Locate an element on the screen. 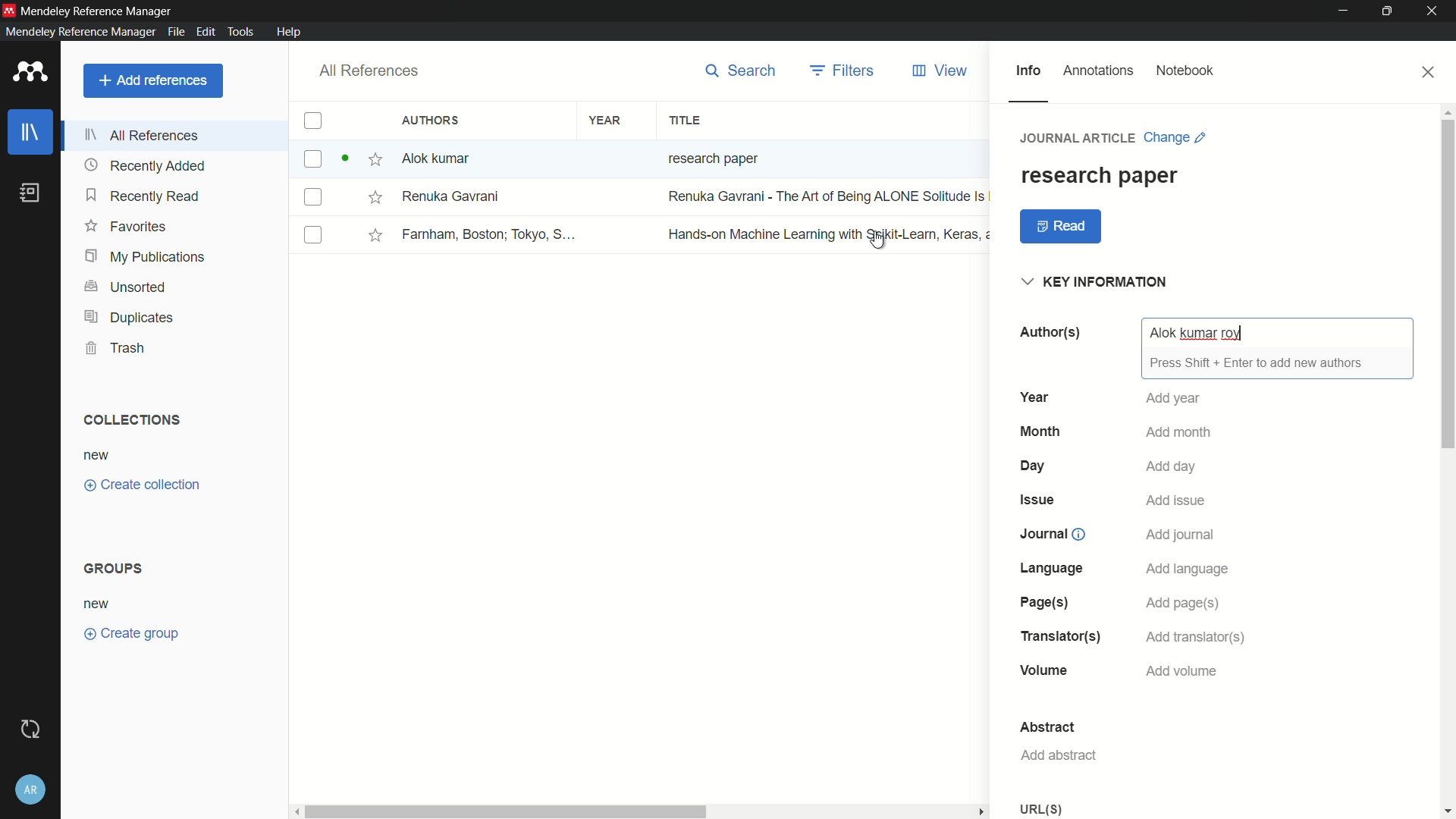 This screenshot has height=819, width=1456. app icon is located at coordinates (30, 73).